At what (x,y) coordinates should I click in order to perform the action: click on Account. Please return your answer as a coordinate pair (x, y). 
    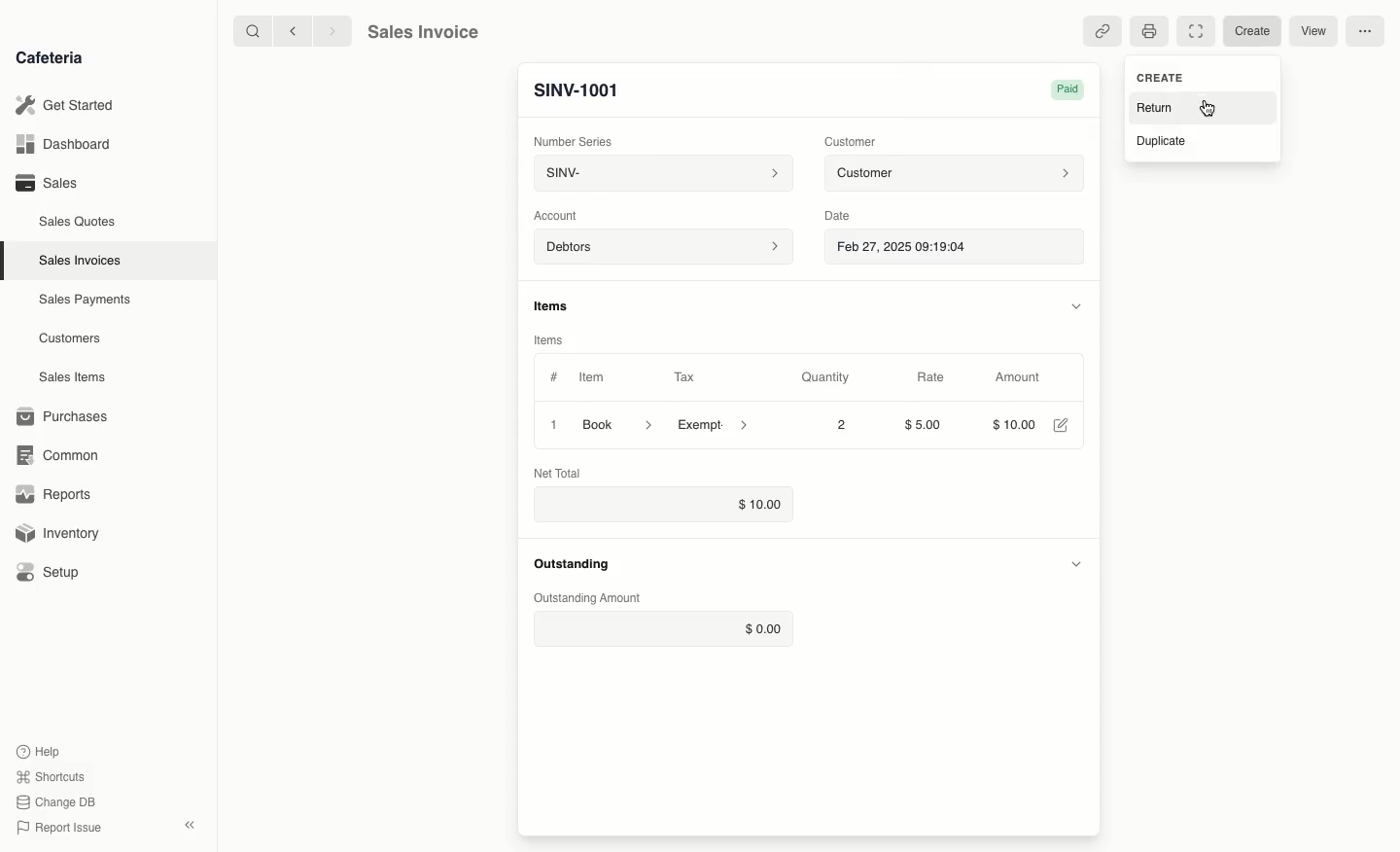
    Looking at the image, I should click on (561, 216).